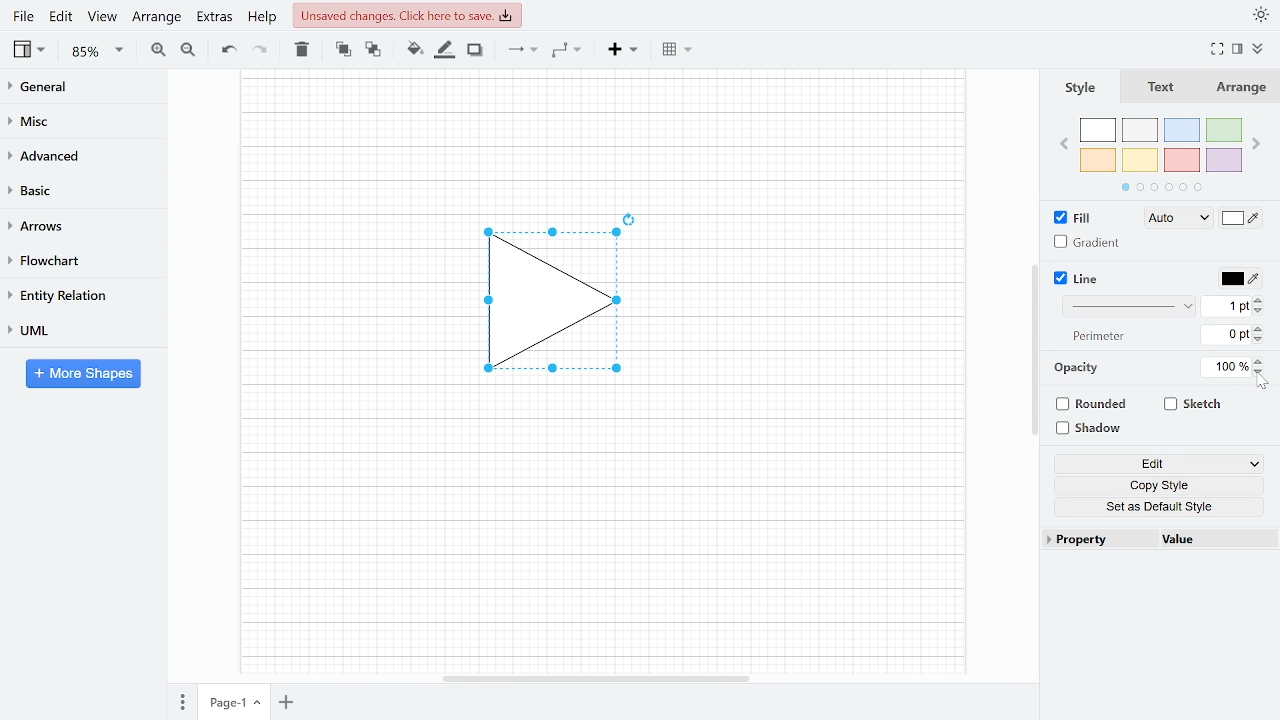 This screenshot has height=720, width=1280. Describe the element at coordinates (31, 49) in the screenshot. I see `View` at that location.